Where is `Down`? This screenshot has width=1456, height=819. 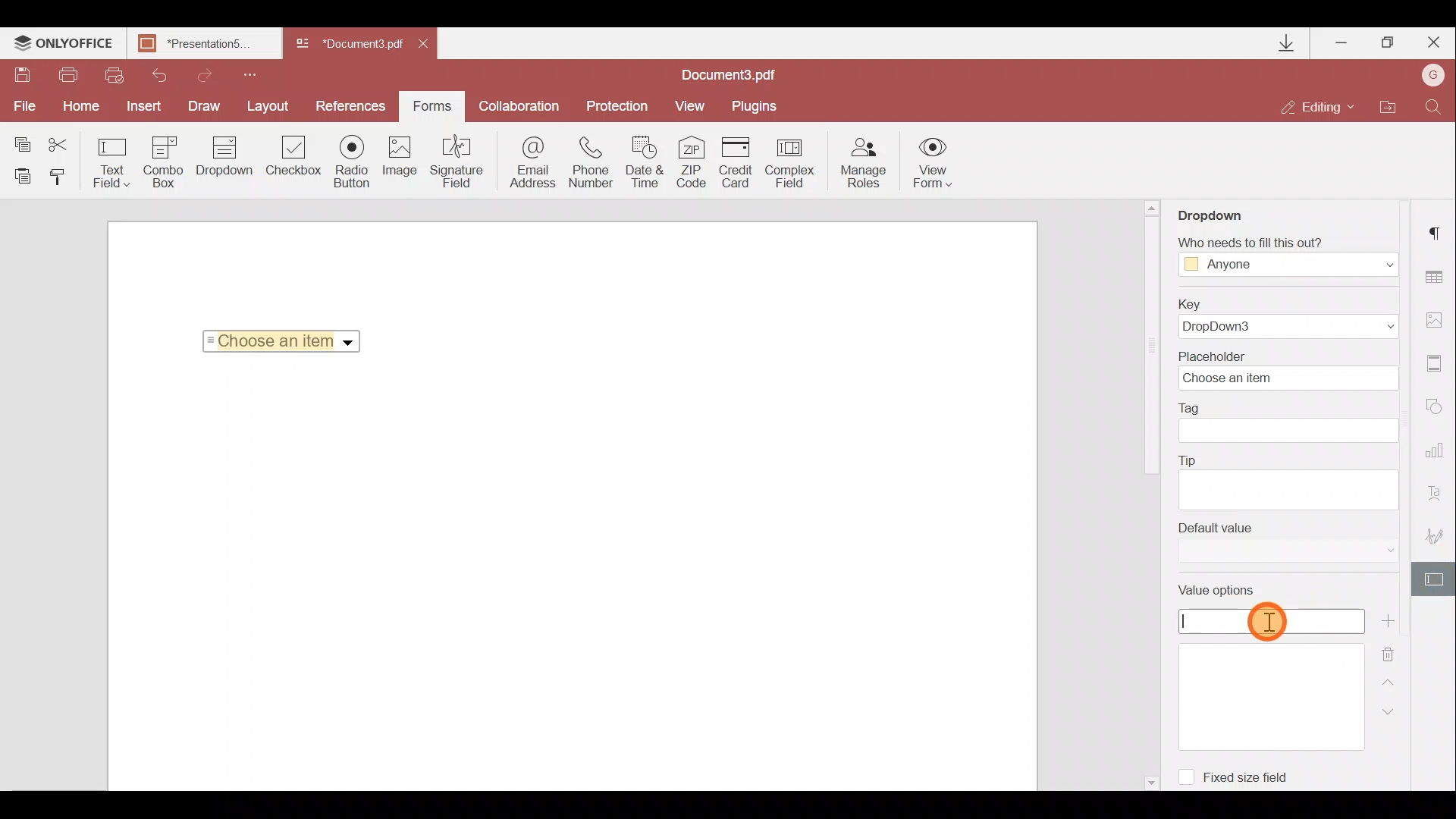
Down is located at coordinates (1385, 711).